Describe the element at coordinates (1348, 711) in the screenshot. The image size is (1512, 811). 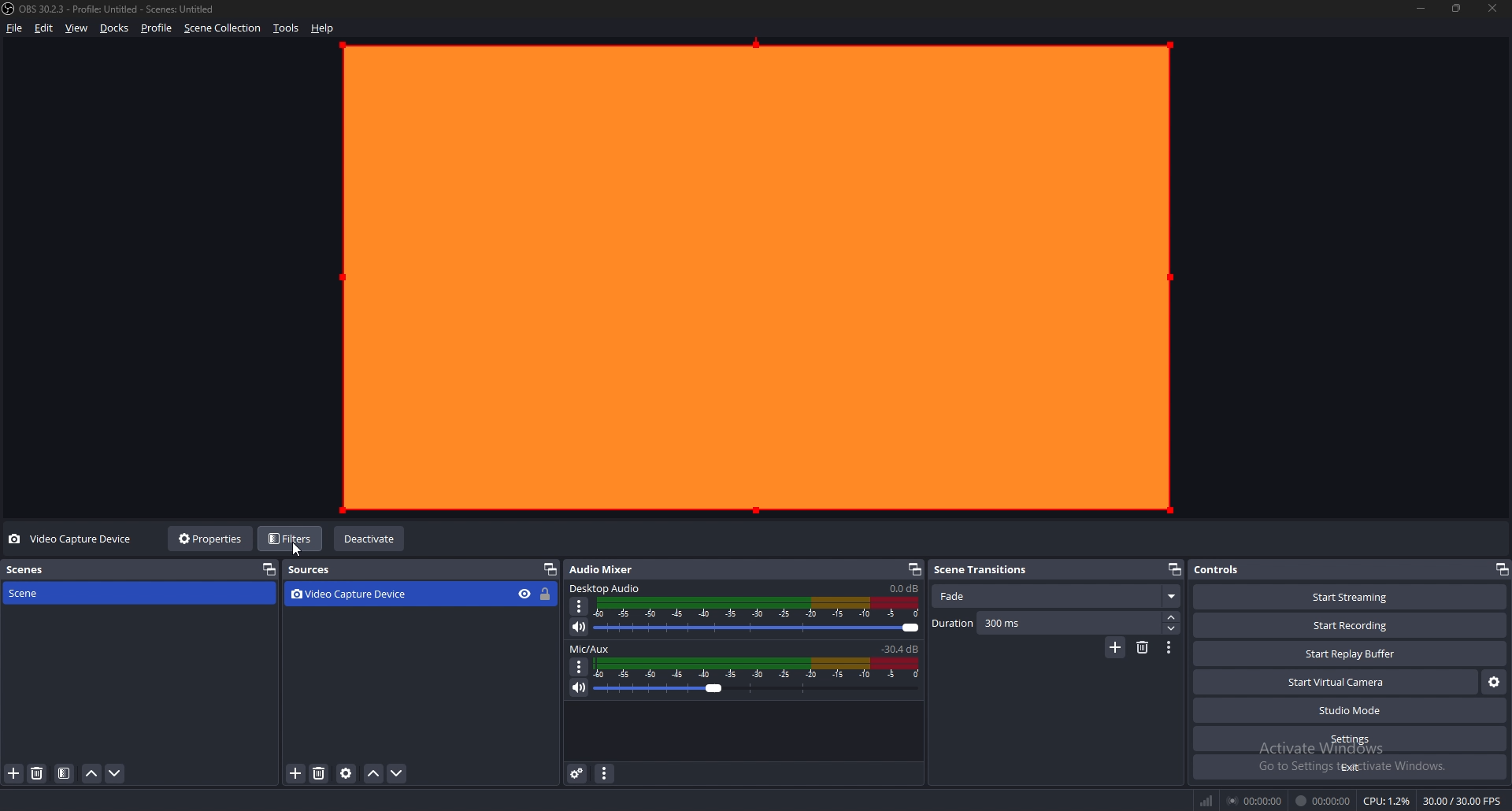
I see `studio mode` at that location.